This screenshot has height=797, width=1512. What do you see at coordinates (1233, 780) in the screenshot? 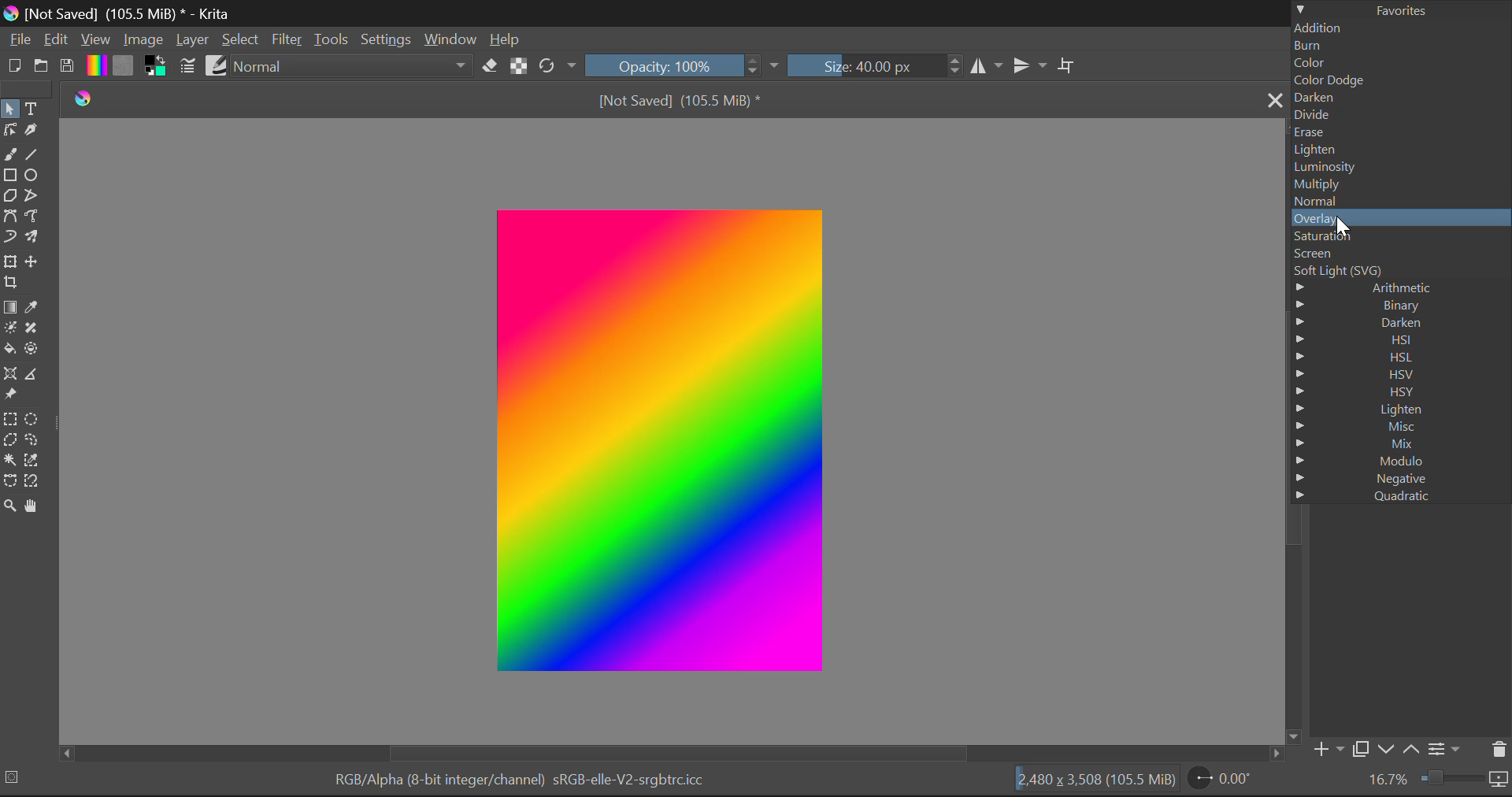
I see `0.00` at bounding box center [1233, 780].